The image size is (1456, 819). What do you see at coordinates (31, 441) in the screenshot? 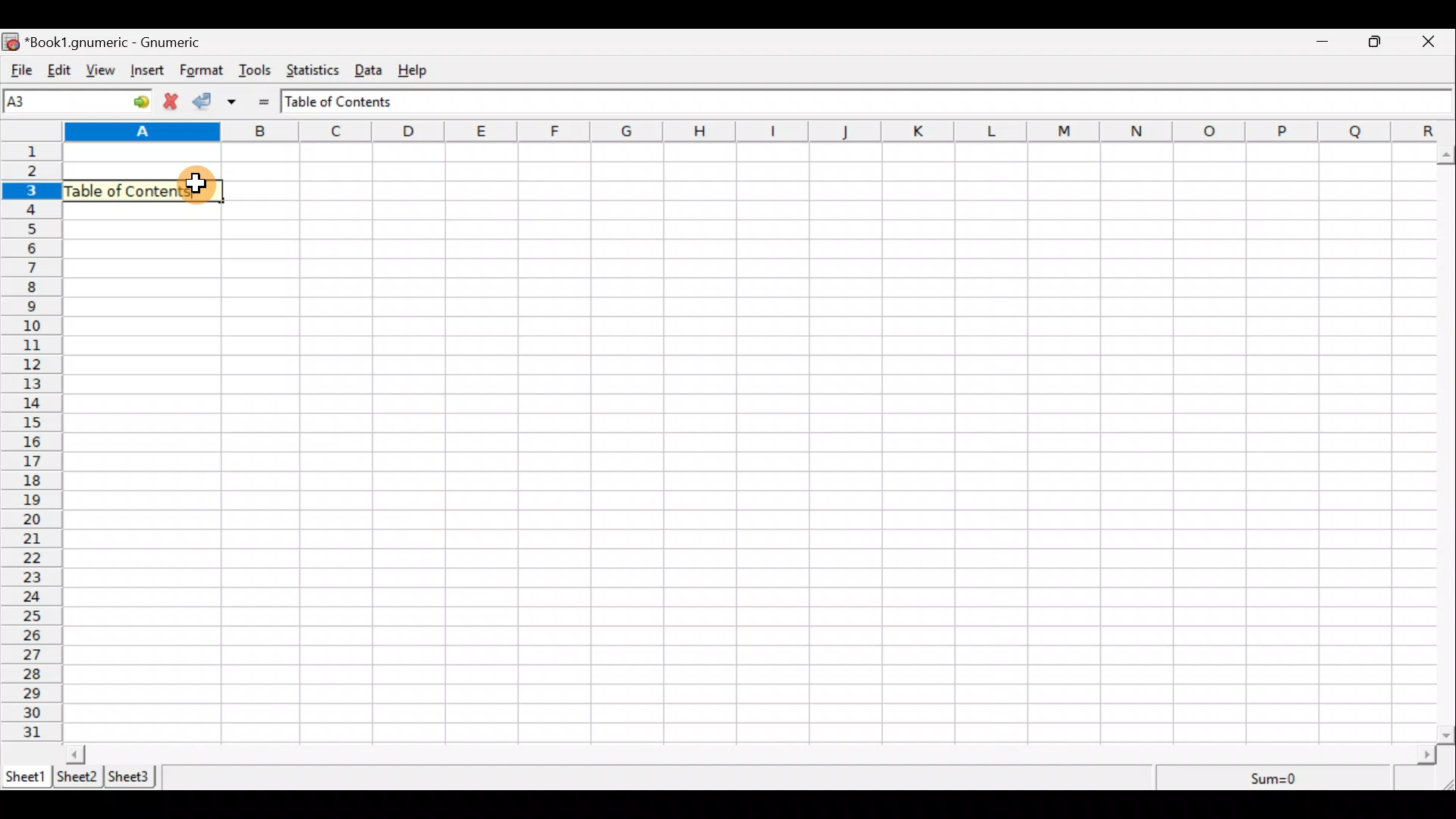
I see `numbering column` at bounding box center [31, 441].